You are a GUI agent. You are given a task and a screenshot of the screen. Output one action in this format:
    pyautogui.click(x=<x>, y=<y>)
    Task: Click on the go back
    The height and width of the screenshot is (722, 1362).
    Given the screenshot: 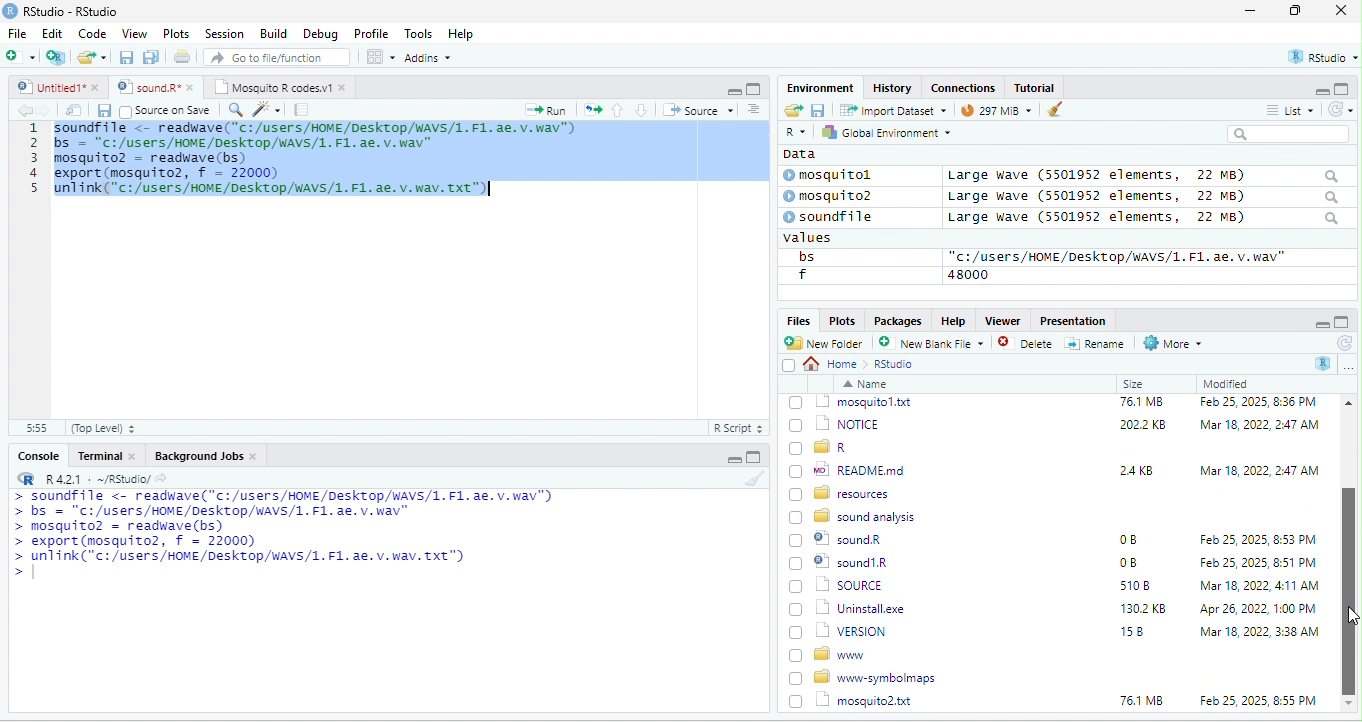 What is the action you would take?
    pyautogui.click(x=837, y=404)
    